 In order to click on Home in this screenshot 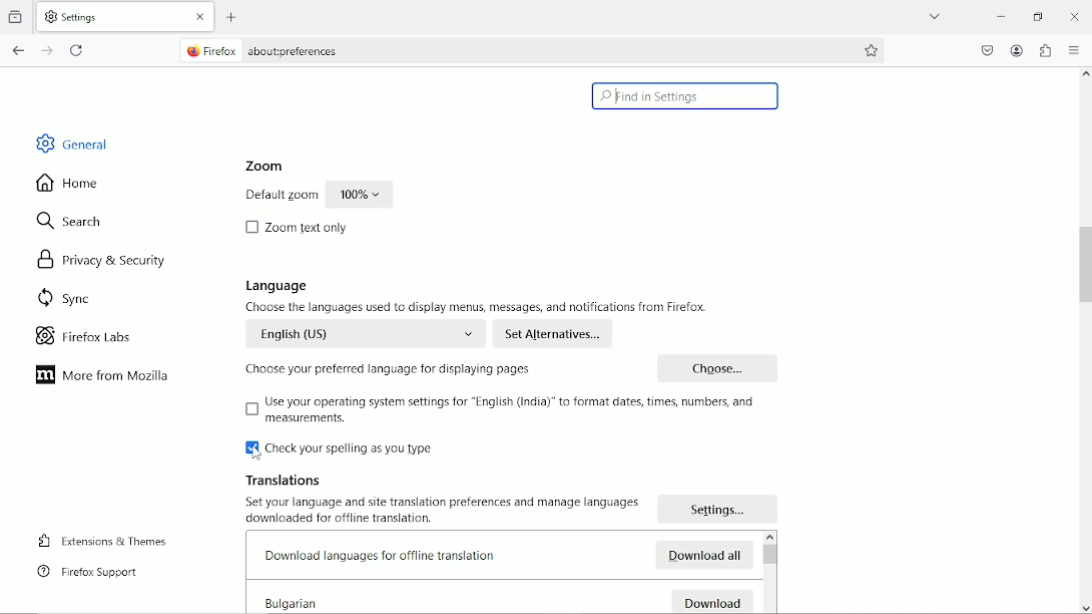, I will do `click(68, 183)`.